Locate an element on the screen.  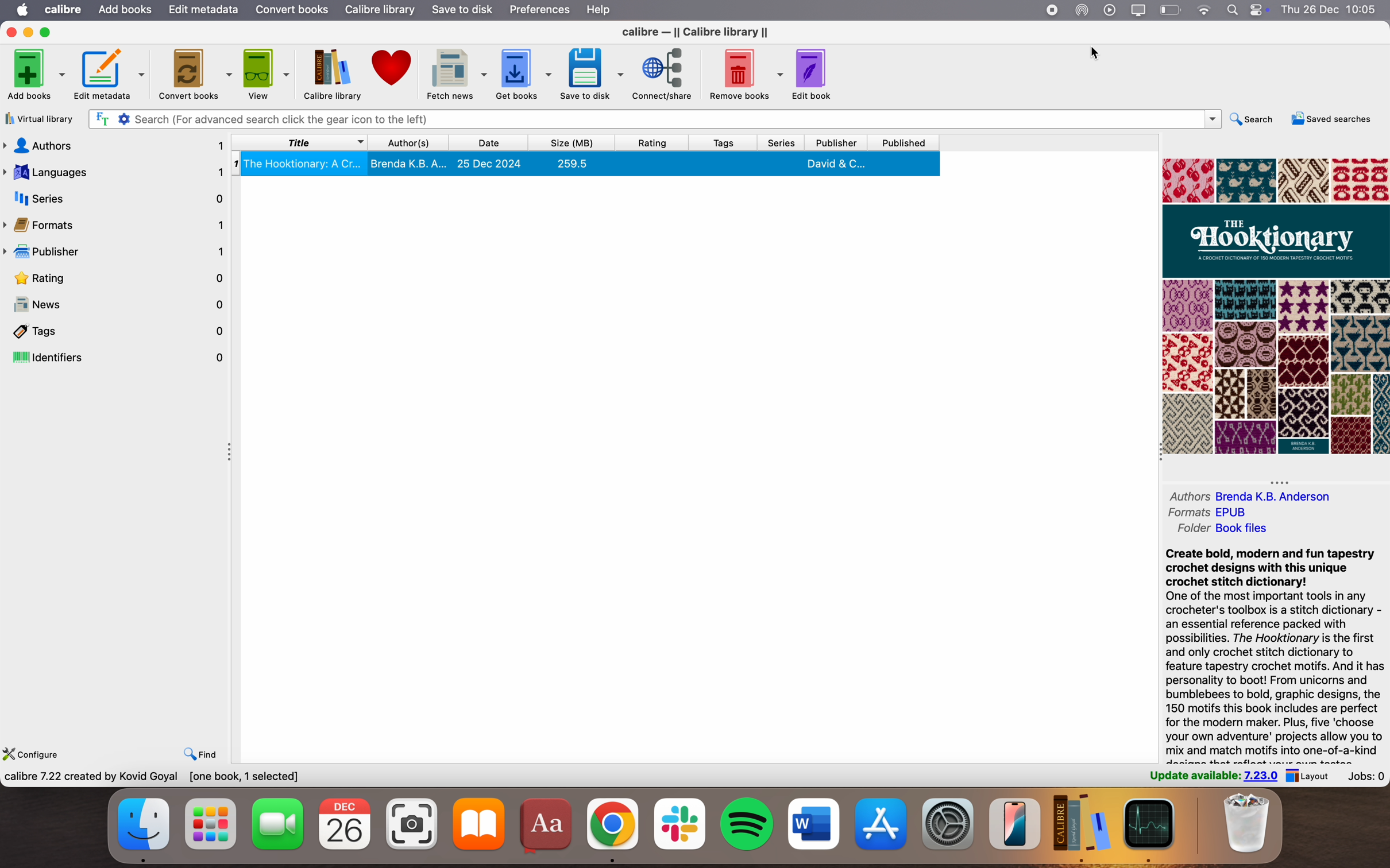
size is located at coordinates (567, 142).